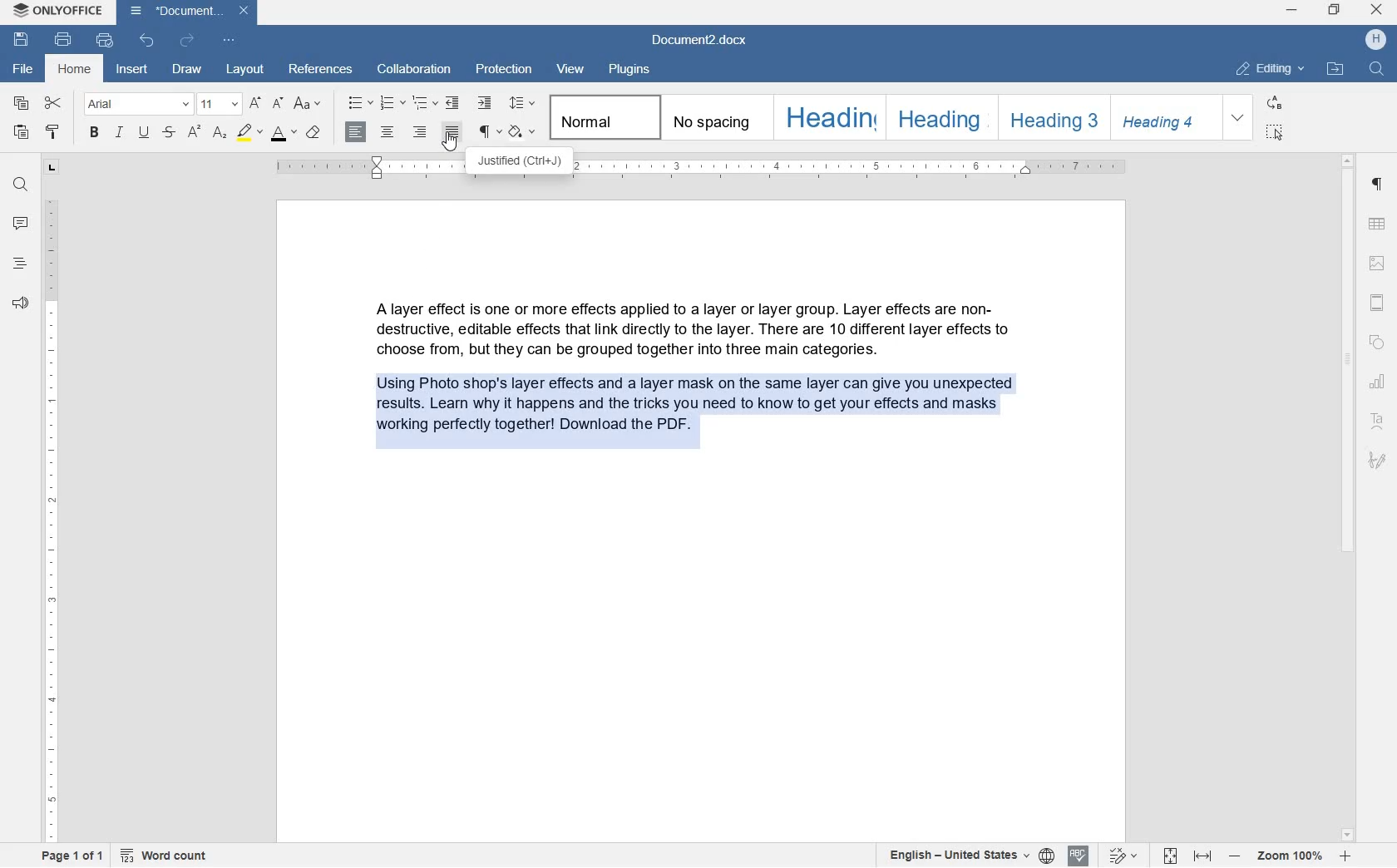 Image resolution: width=1397 pixels, height=868 pixels. I want to click on INCREMENT FONT SIZE, so click(255, 102).